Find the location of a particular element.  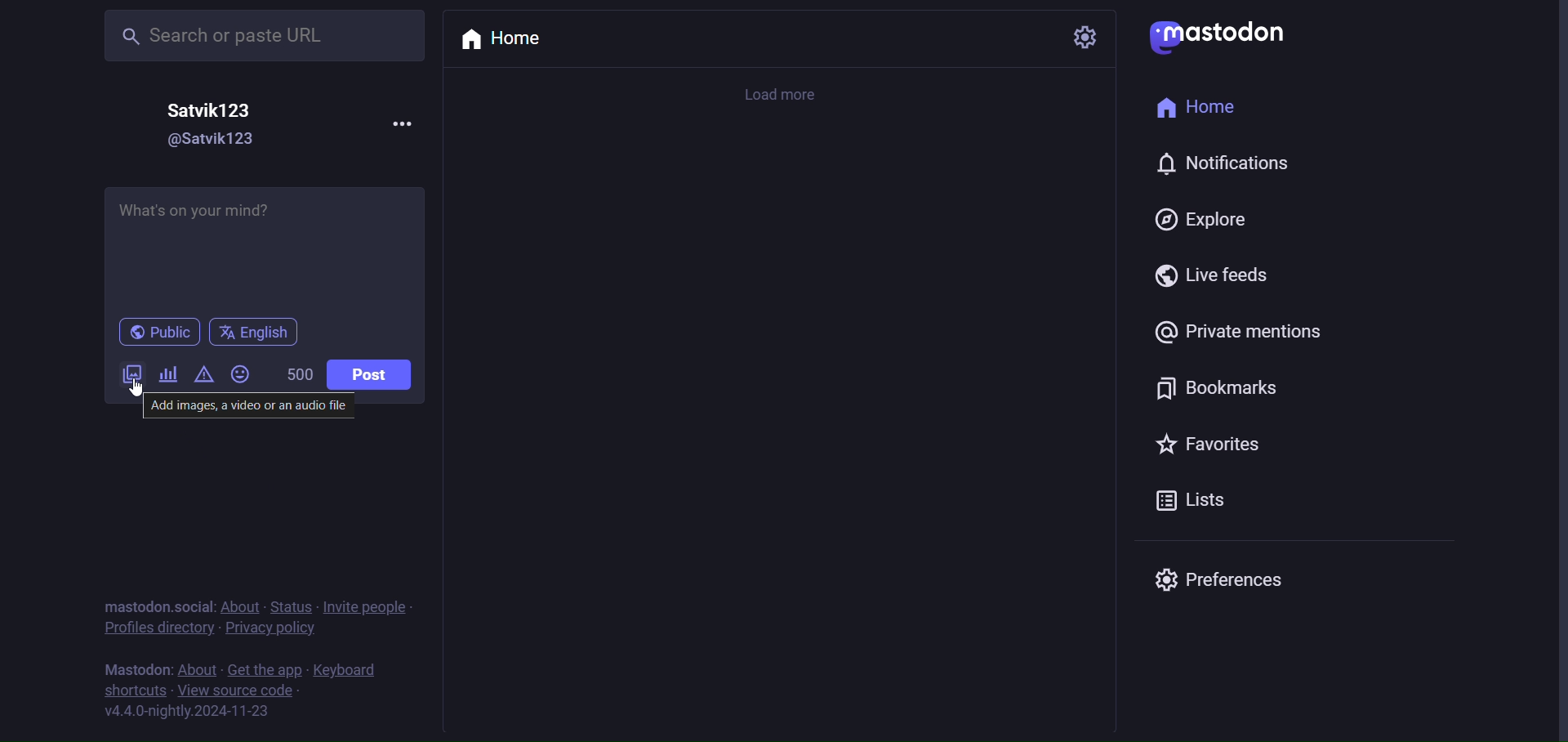

home is located at coordinates (508, 41).